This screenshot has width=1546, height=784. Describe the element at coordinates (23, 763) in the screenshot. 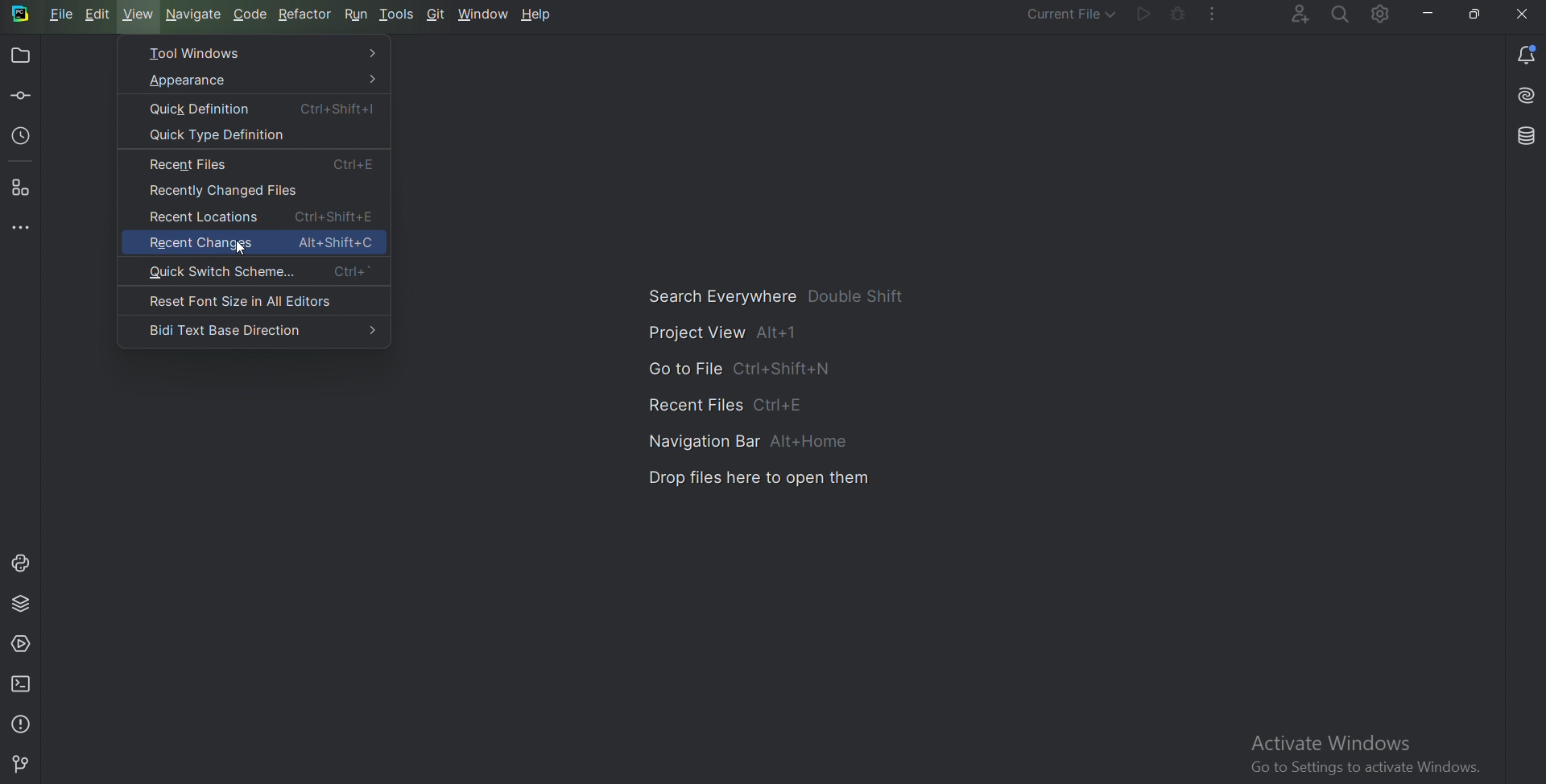

I see `Git` at that location.